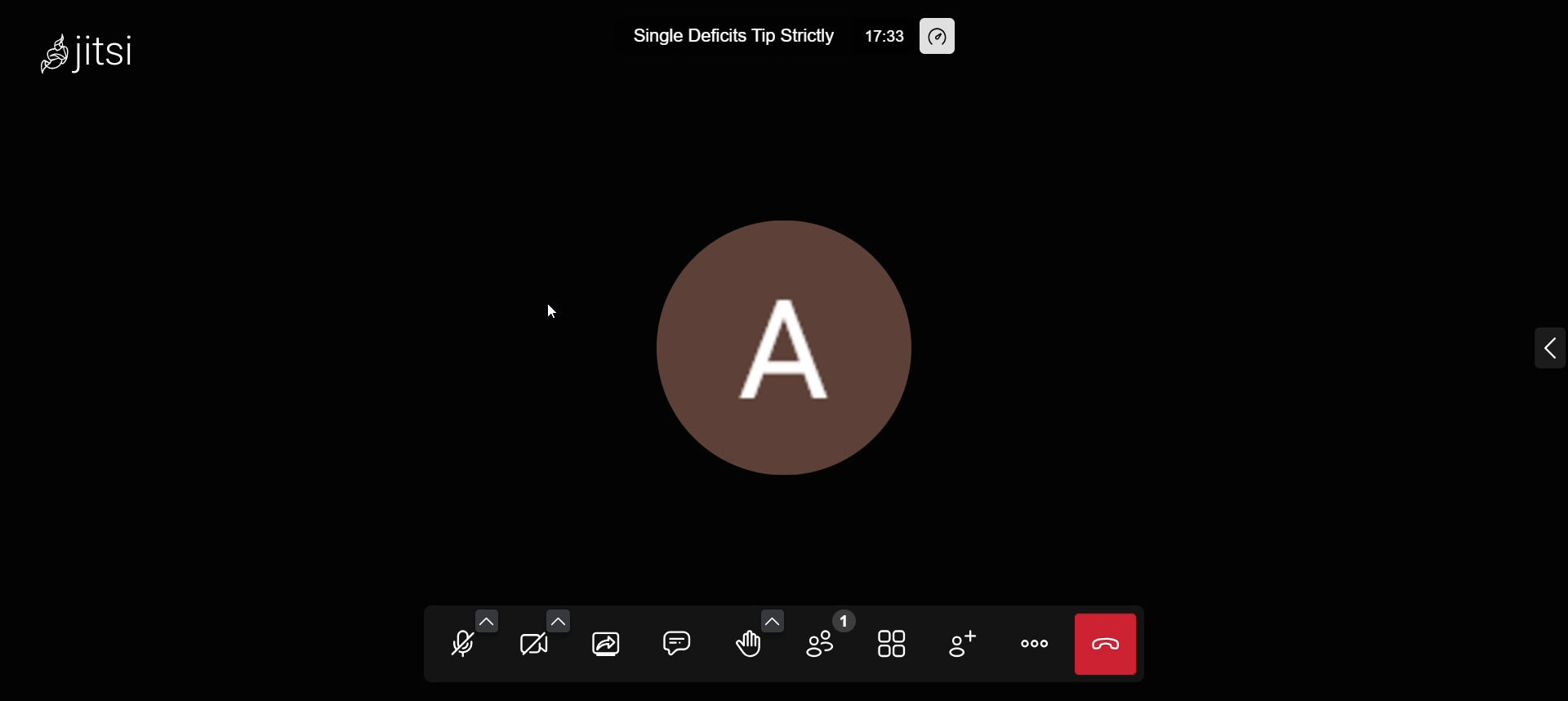 This screenshot has height=701, width=1568. What do you see at coordinates (534, 645) in the screenshot?
I see `start camera` at bounding box center [534, 645].